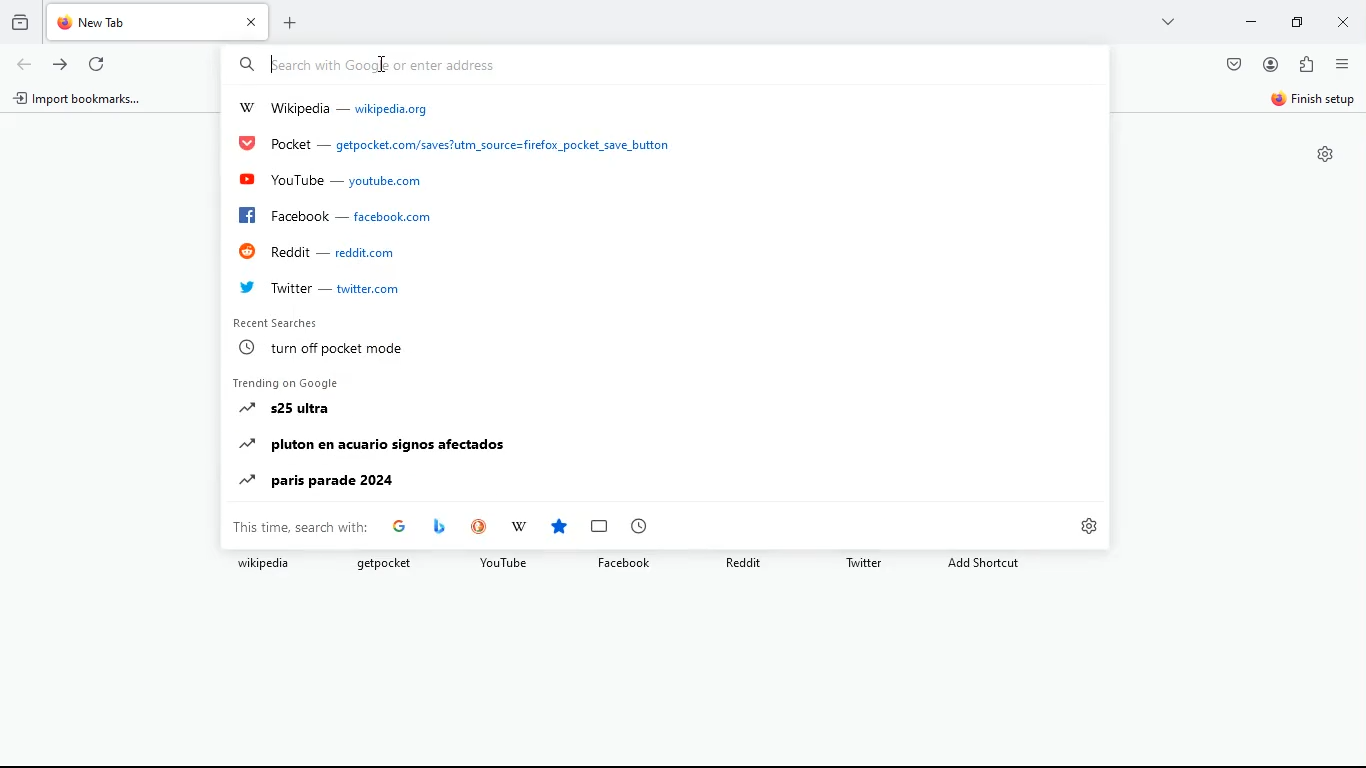 The height and width of the screenshot is (768, 1366). What do you see at coordinates (295, 21) in the screenshot?
I see `add tab` at bounding box center [295, 21].